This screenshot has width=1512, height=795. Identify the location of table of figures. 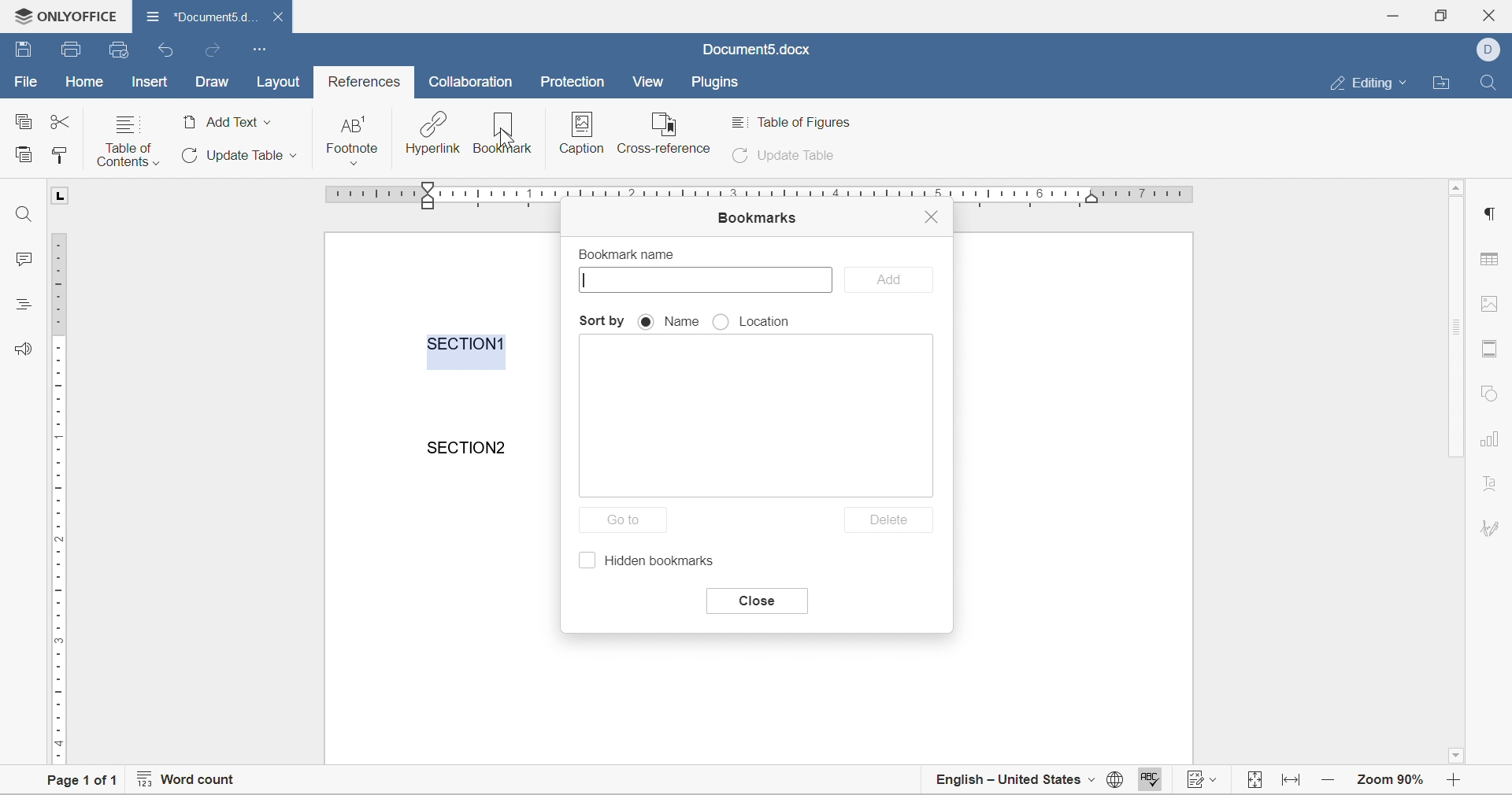
(796, 122).